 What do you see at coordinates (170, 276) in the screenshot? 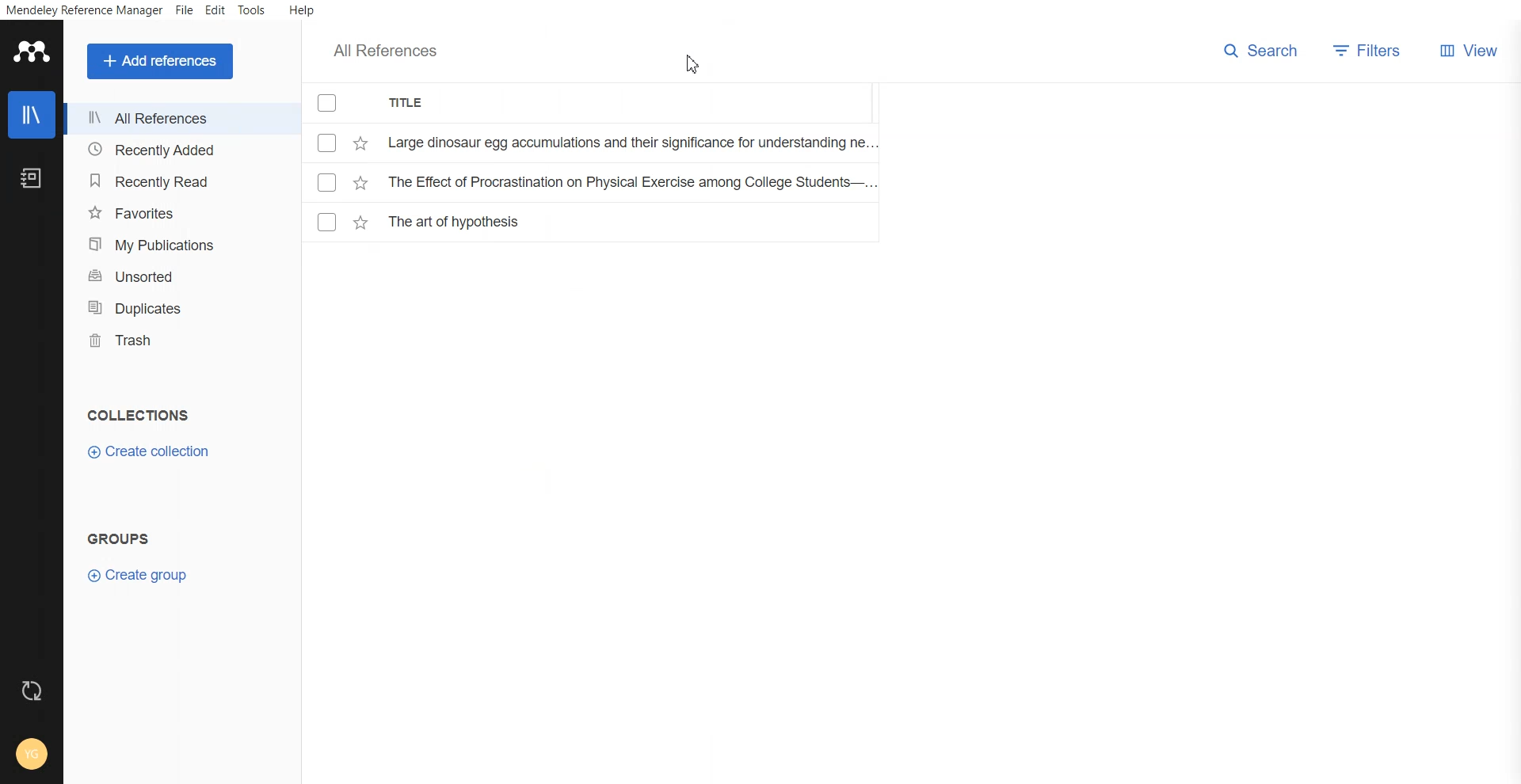
I see `Unsorted` at bounding box center [170, 276].